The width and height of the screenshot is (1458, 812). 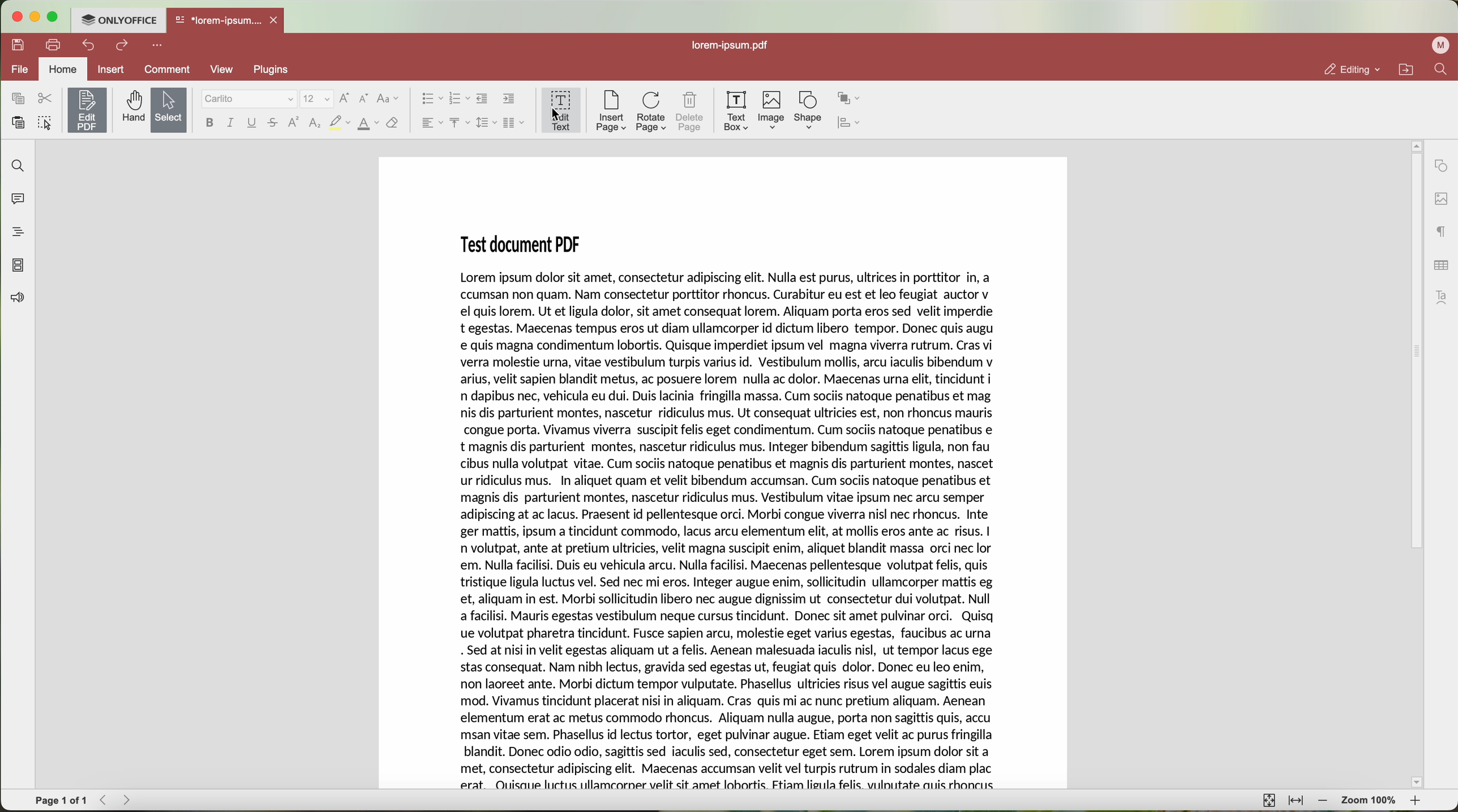 What do you see at coordinates (90, 45) in the screenshot?
I see `undo` at bounding box center [90, 45].